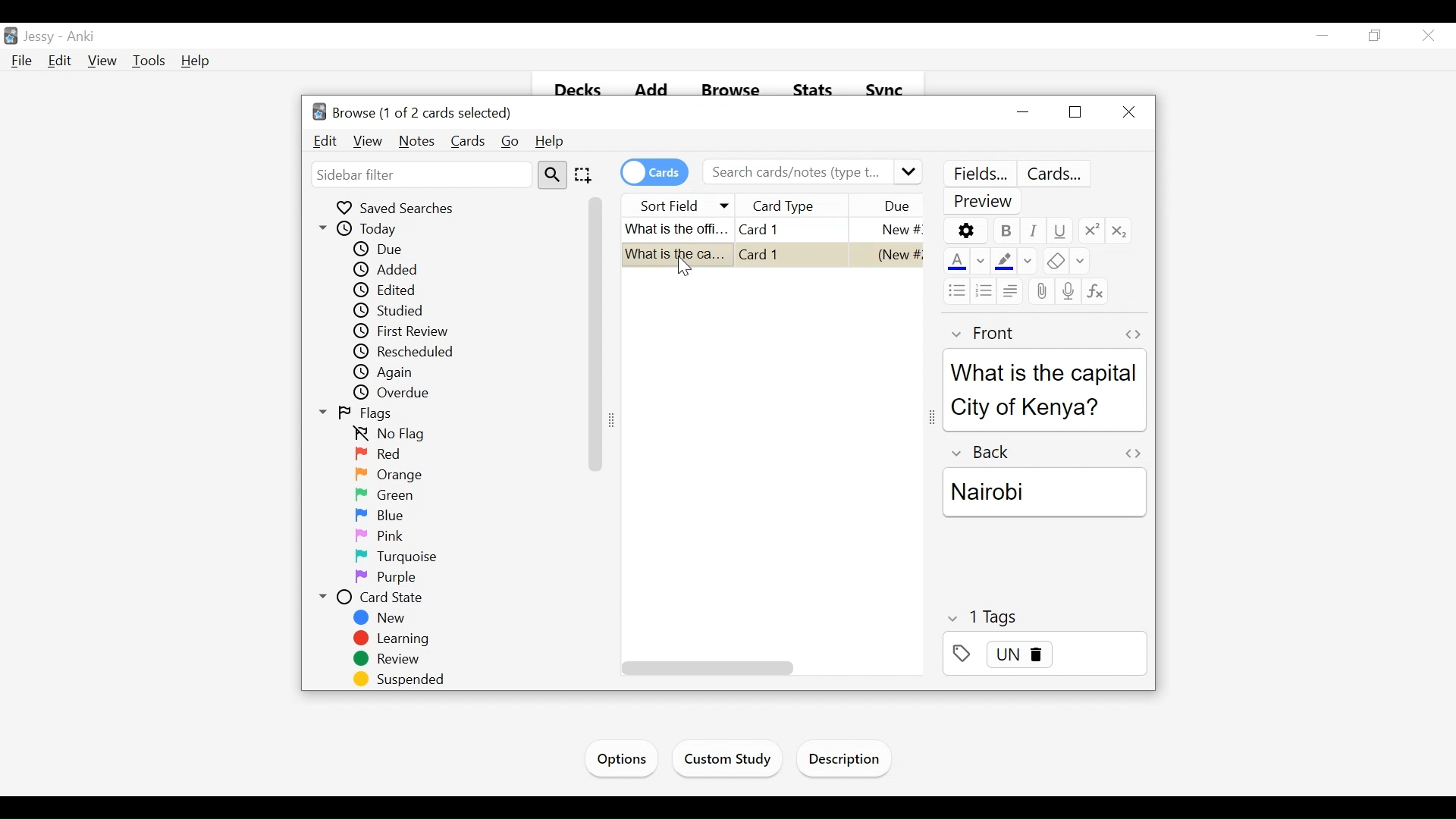 This screenshot has height=819, width=1456. I want to click on Tags Field , so click(1044, 658).